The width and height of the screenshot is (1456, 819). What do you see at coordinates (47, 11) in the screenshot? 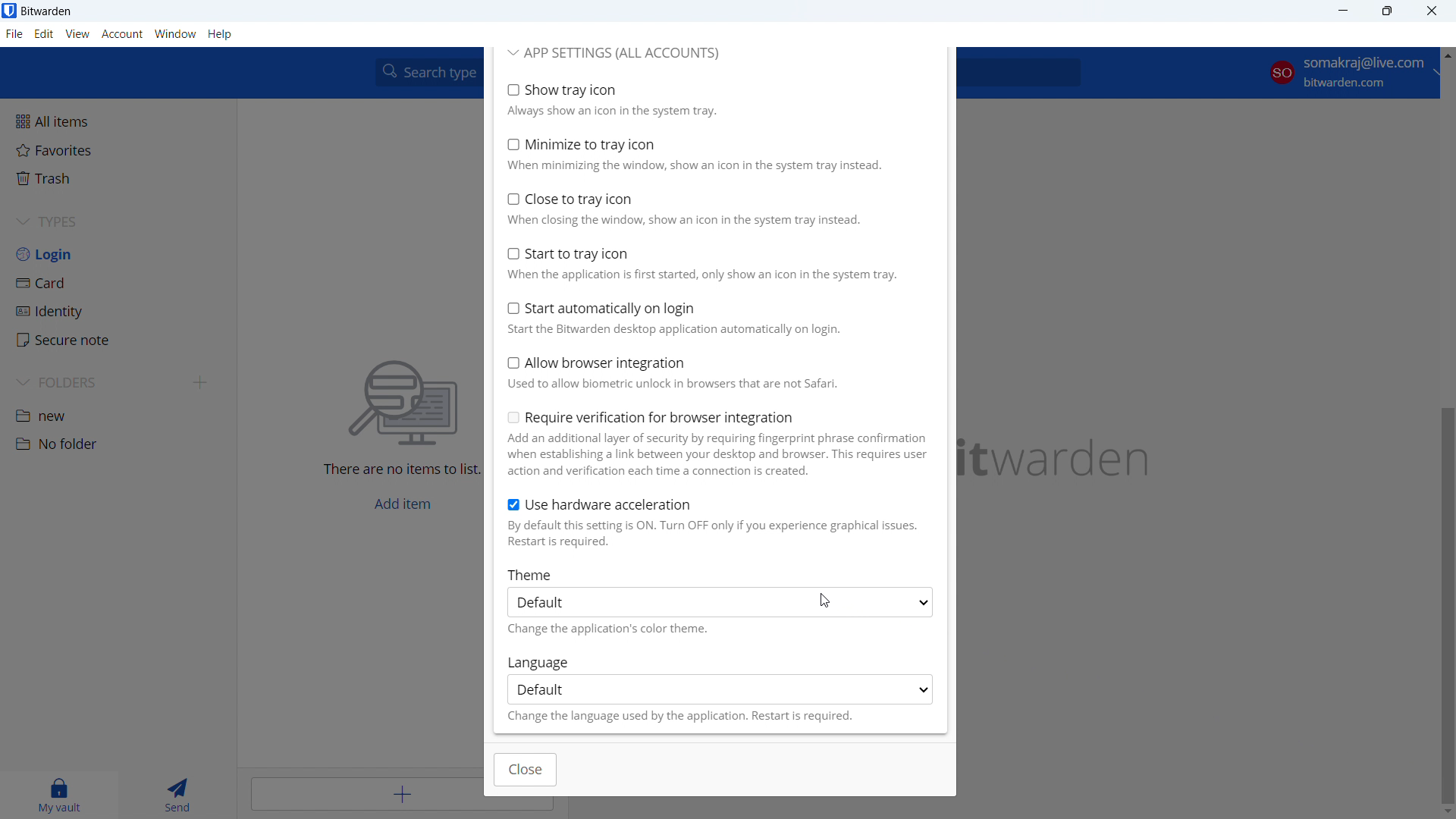
I see `title` at bounding box center [47, 11].